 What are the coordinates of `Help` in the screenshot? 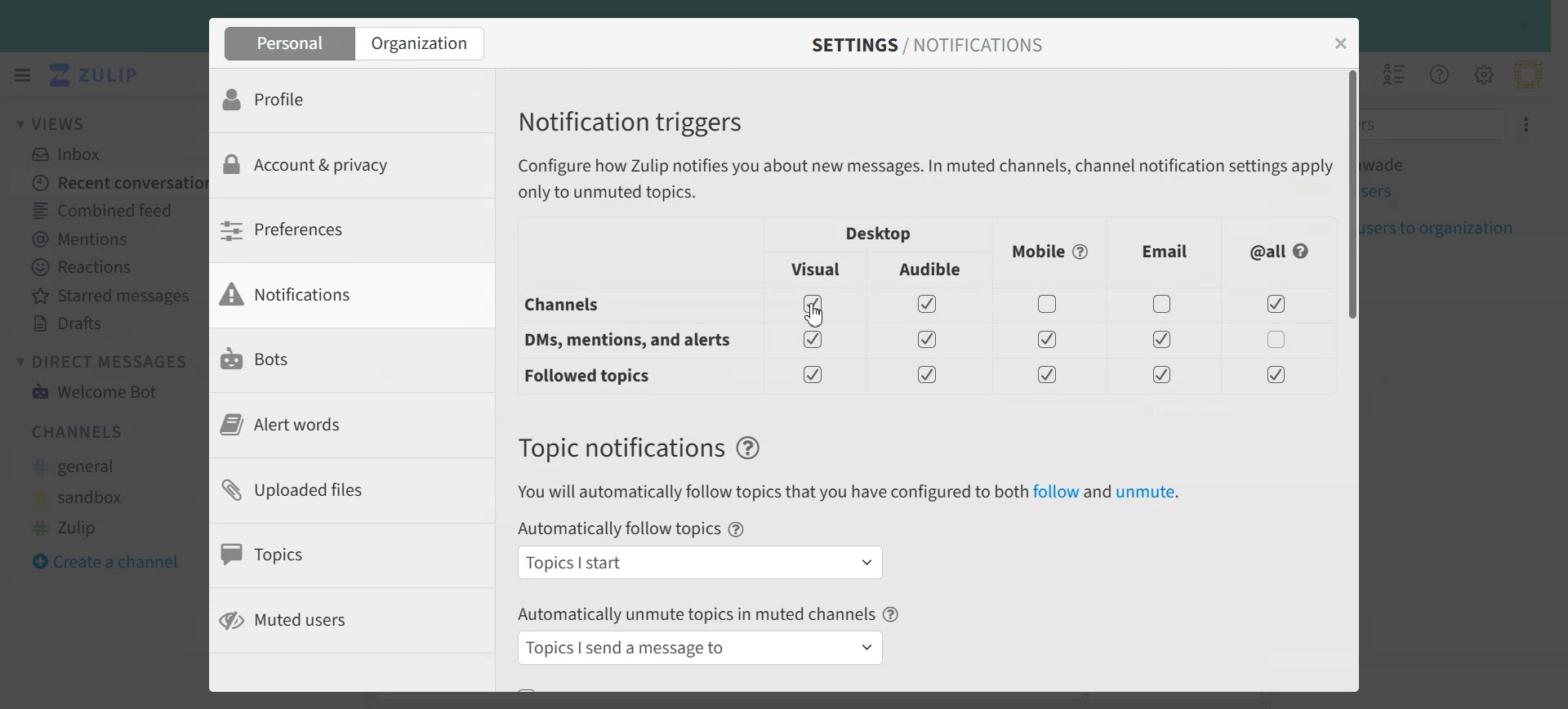 It's located at (749, 448).